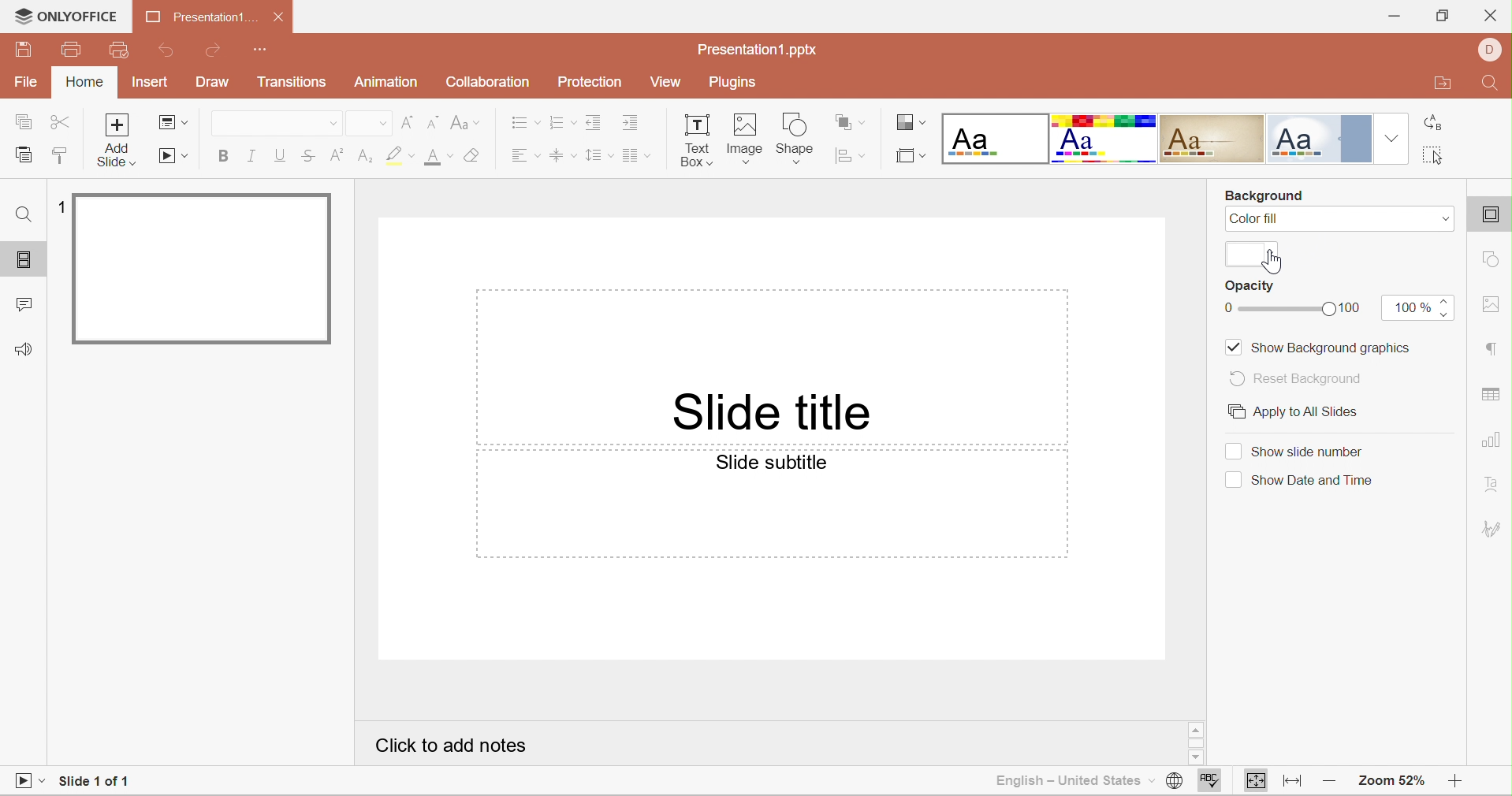 This screenshot has height=796, width=1512. Describe the element at coordinates (1490, 348) in the screenshot. I see `paragraph settings` at that location.